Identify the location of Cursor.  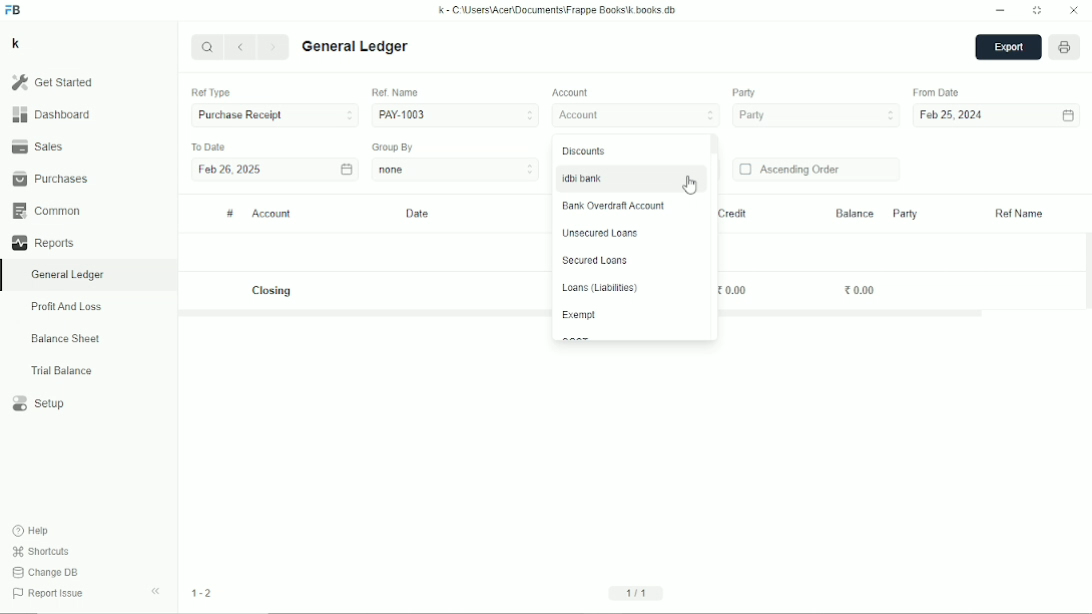
(691, 185).